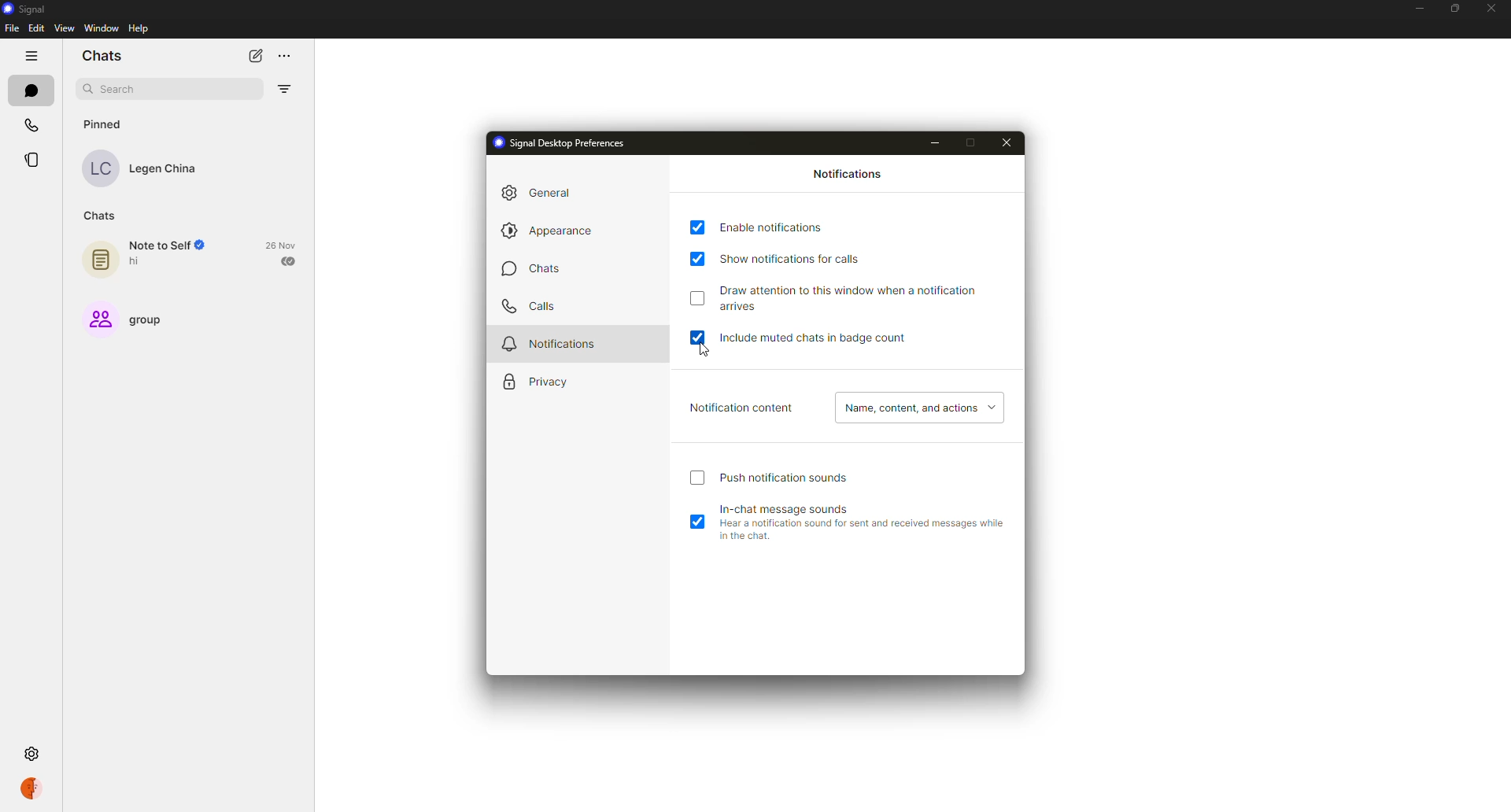 The width and height of the screenshot is (1511, 812). I want to click on appearance, so click(552, 231).